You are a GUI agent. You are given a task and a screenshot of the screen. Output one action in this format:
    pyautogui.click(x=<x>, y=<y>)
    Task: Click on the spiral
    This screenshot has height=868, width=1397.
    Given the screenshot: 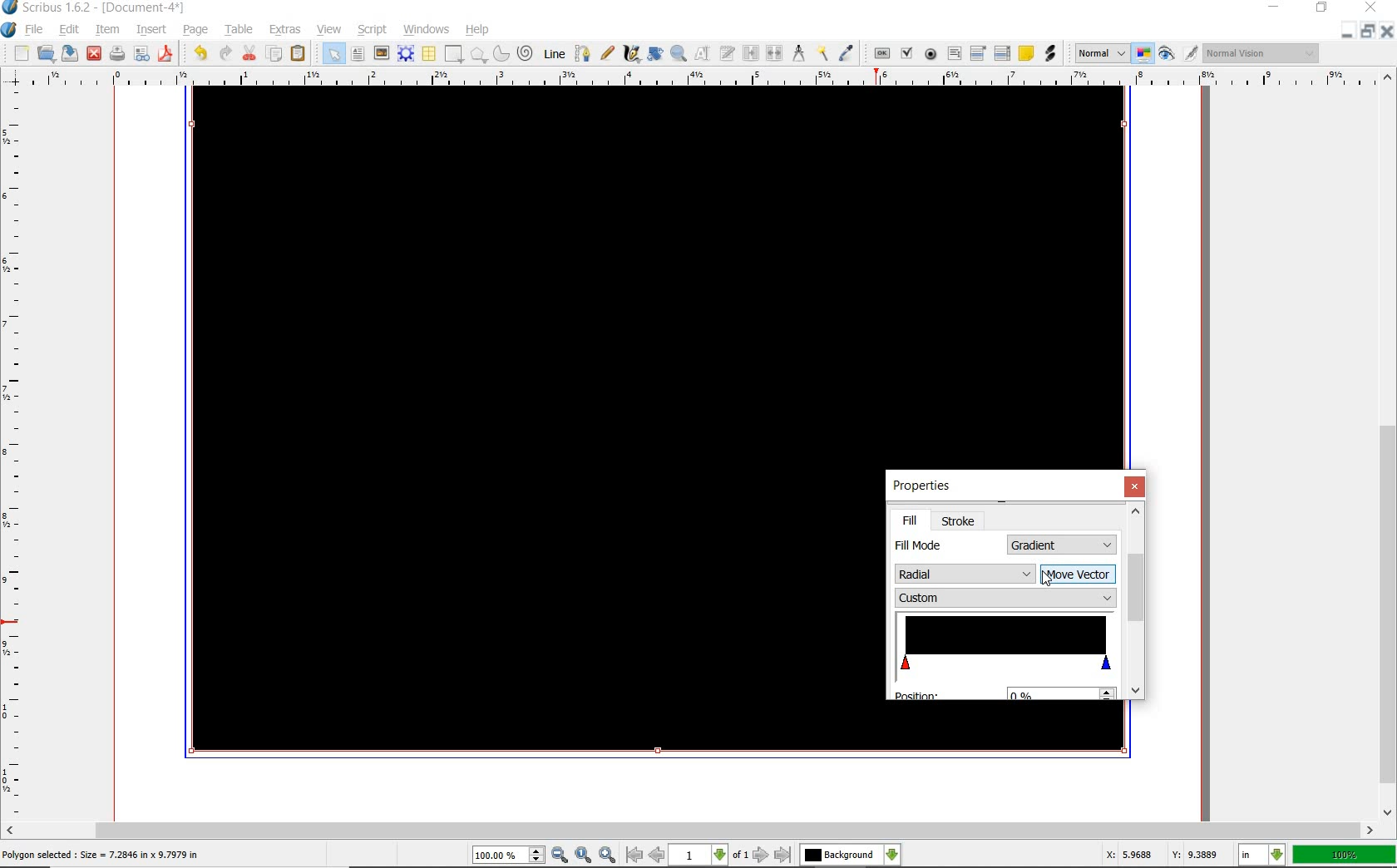 What is the action you would take?
    pyautogui.click(x=526, y=53)
    